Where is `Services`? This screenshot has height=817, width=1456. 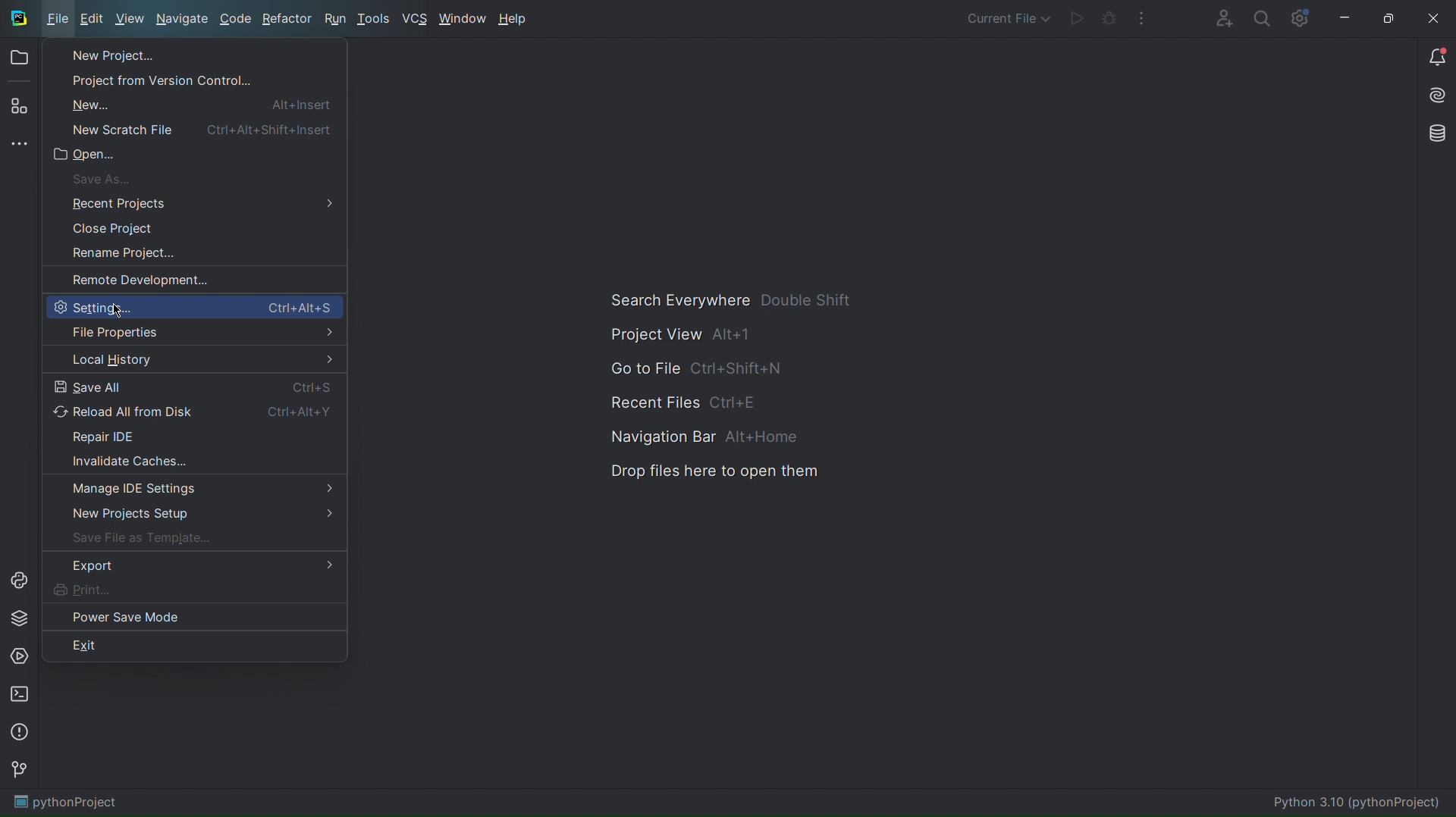
Services is located at coordinates (21, 658).